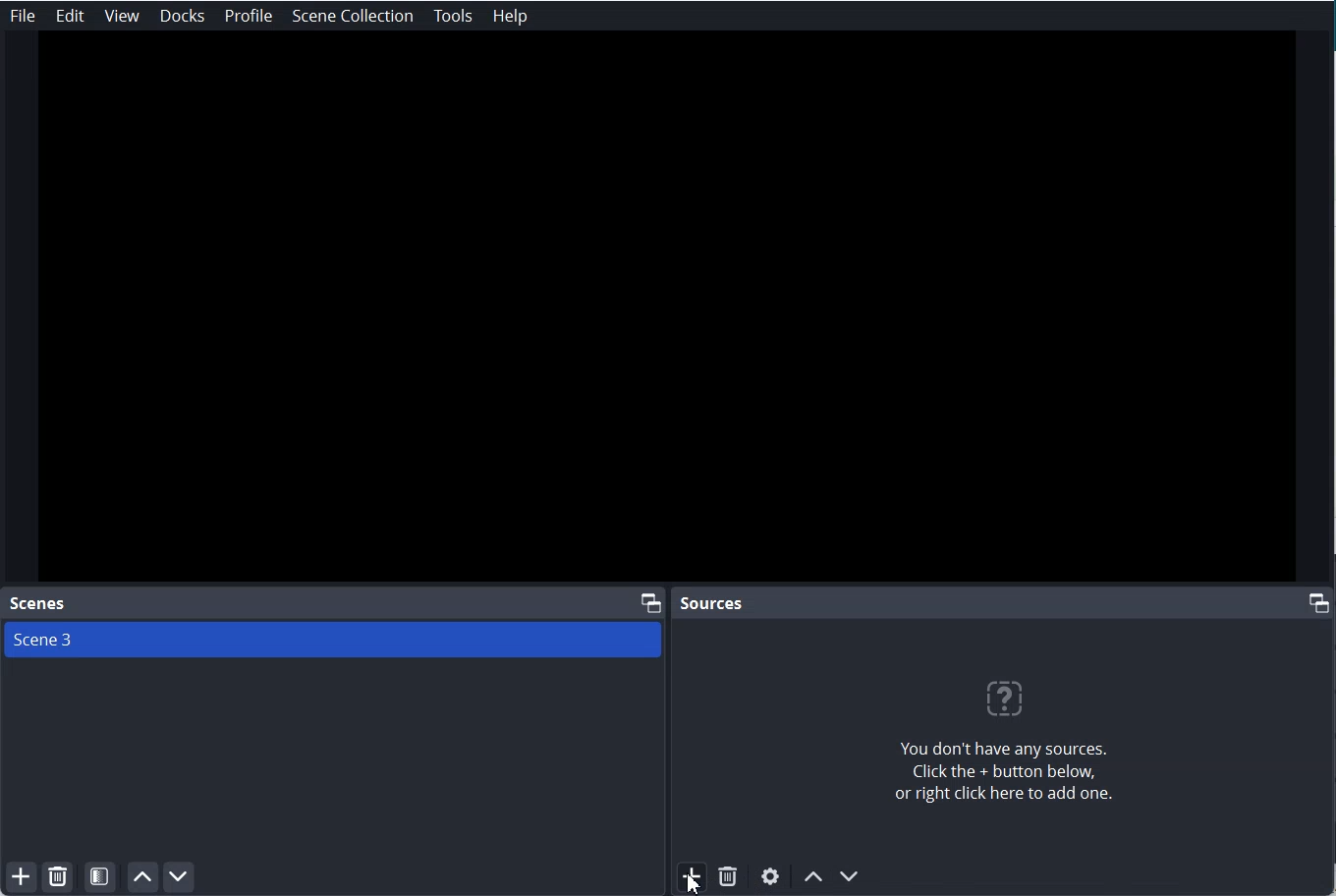 The image size is (1336, 896). Describe the element at coordinates (510, 17) in the screenshot. I see `Help` at that location.